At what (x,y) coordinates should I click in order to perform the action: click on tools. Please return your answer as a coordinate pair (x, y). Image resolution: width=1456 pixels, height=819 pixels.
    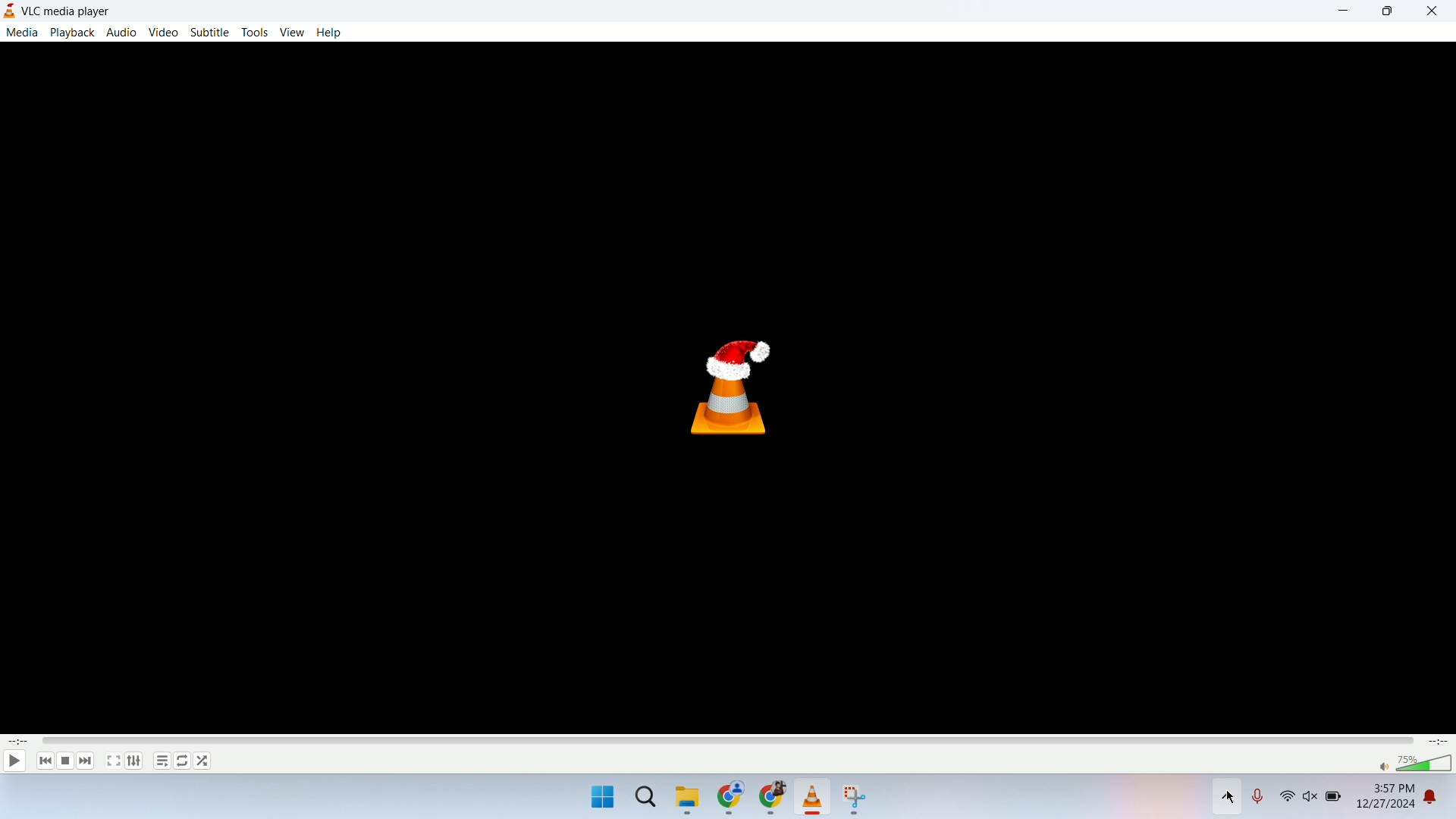
    Looking at the image, I should click on (257, 32).